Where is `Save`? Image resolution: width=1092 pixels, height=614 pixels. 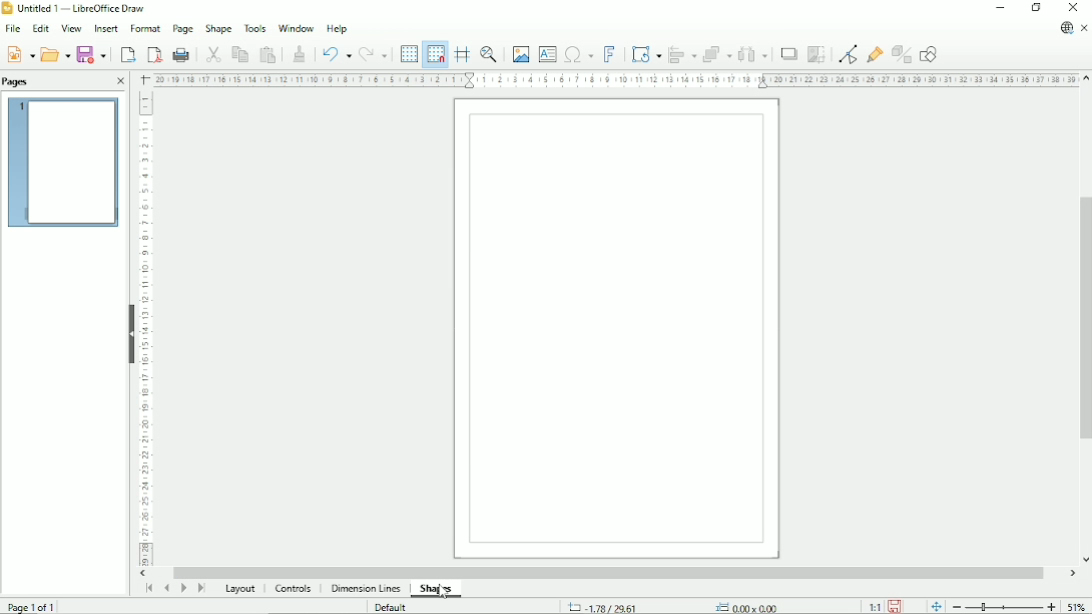 Save is located at coordinates (895, 606).